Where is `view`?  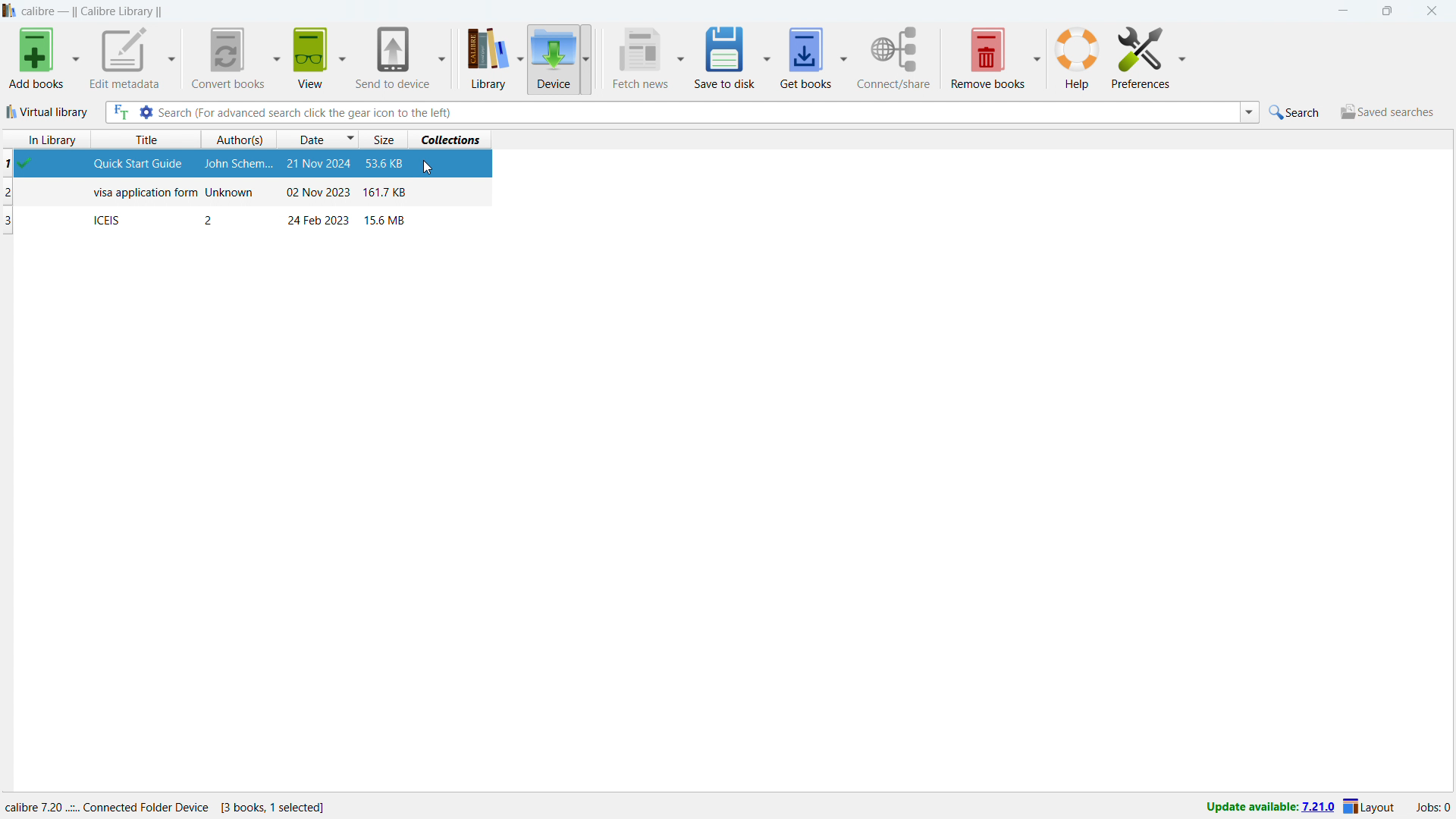
view is located at coordinates (309, 58).